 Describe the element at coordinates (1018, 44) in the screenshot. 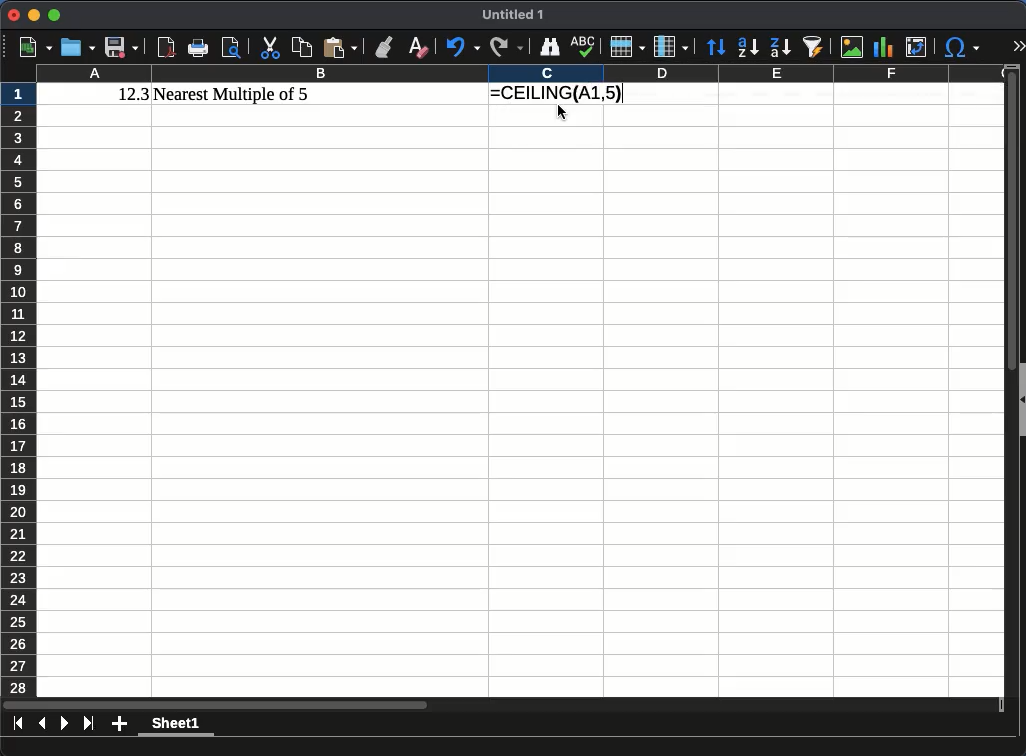

I see `expand` at that location.